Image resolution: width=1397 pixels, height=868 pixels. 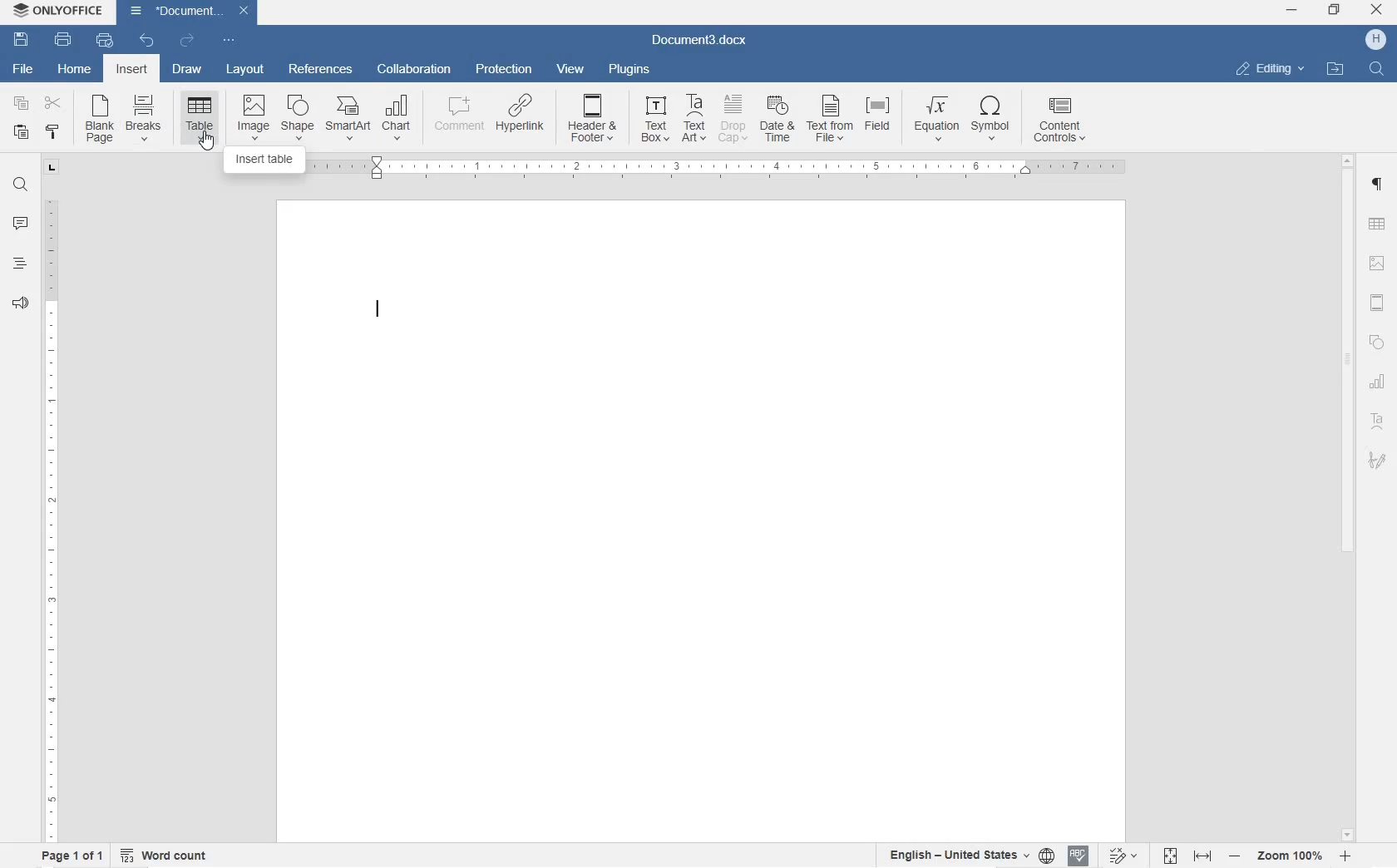 I want to click on HOME, so click(x=76, y=67).